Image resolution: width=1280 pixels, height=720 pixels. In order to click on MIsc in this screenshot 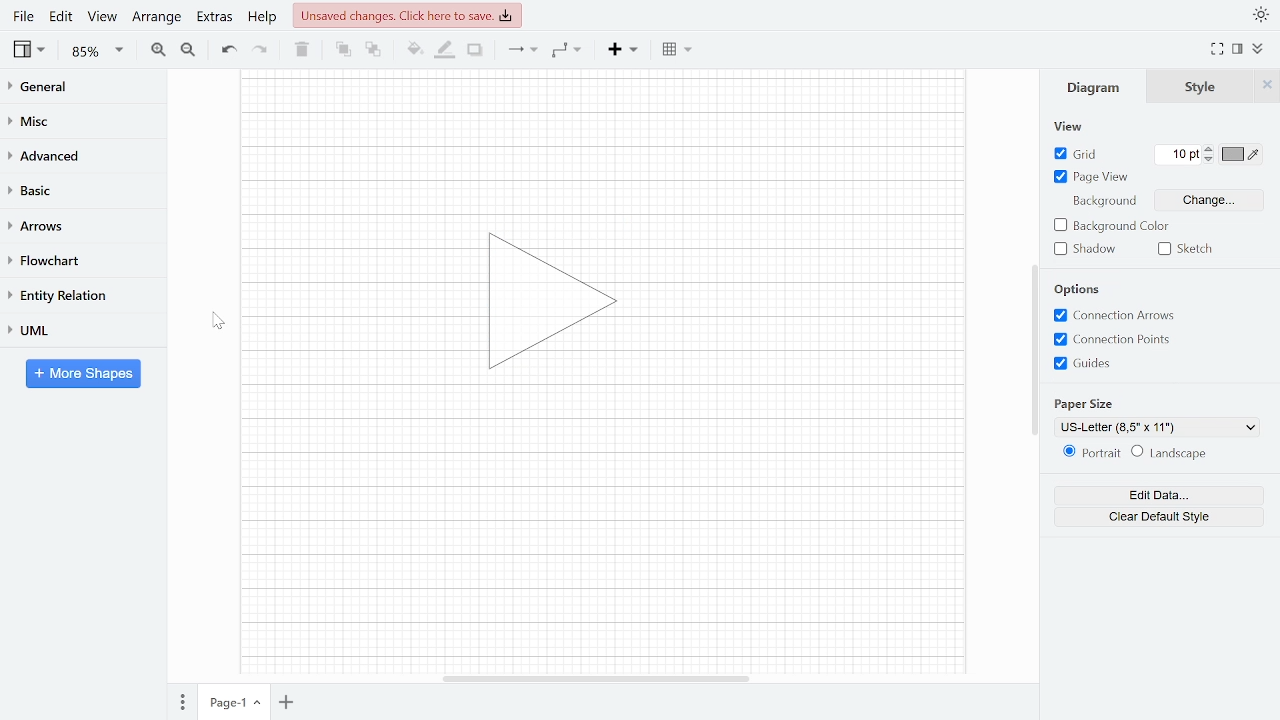, I will do `click(75, 120)`.